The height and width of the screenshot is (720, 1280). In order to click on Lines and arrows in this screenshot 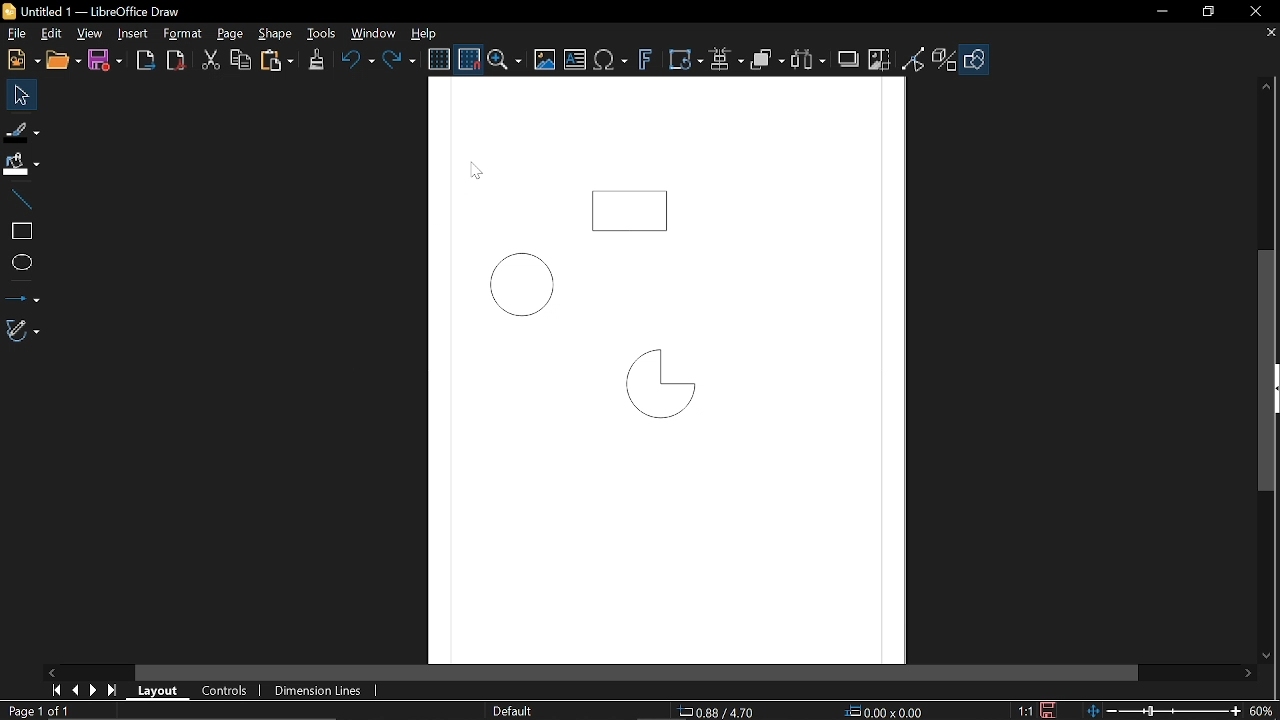, I will do `click(22, 297)`.